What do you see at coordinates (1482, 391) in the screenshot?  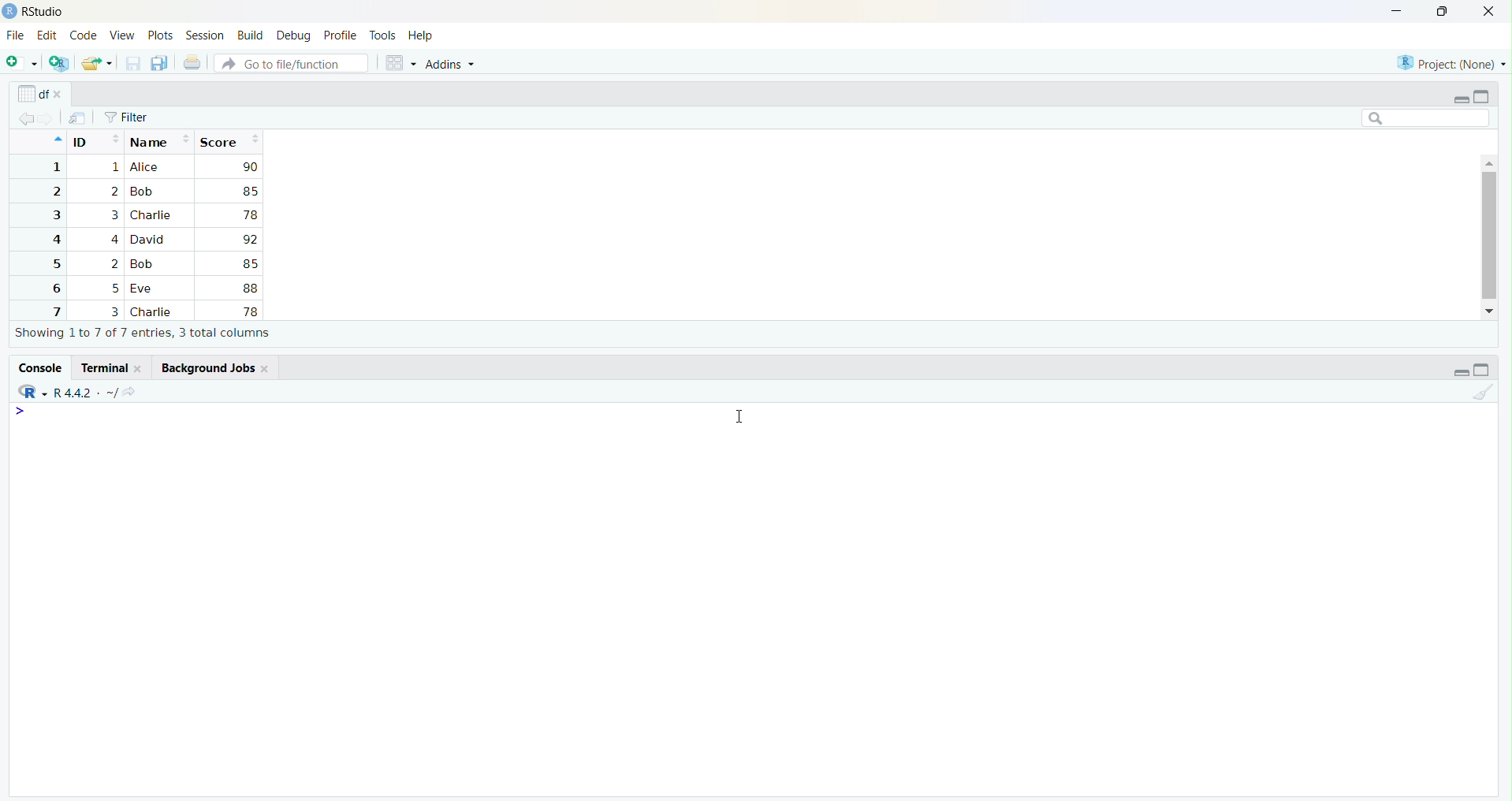 I see `clear` at bounding box center [1482, 391].